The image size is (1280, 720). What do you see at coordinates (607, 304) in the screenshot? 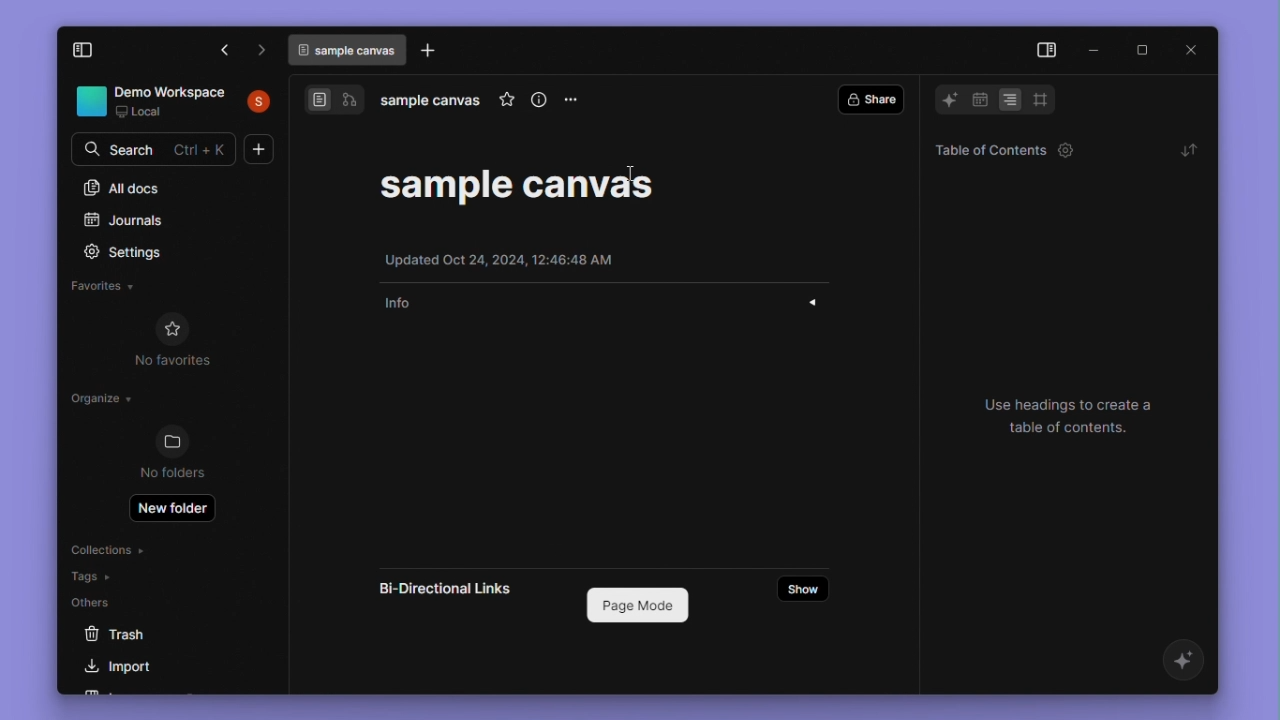
I see `Info` at bounding box center [607, 304].